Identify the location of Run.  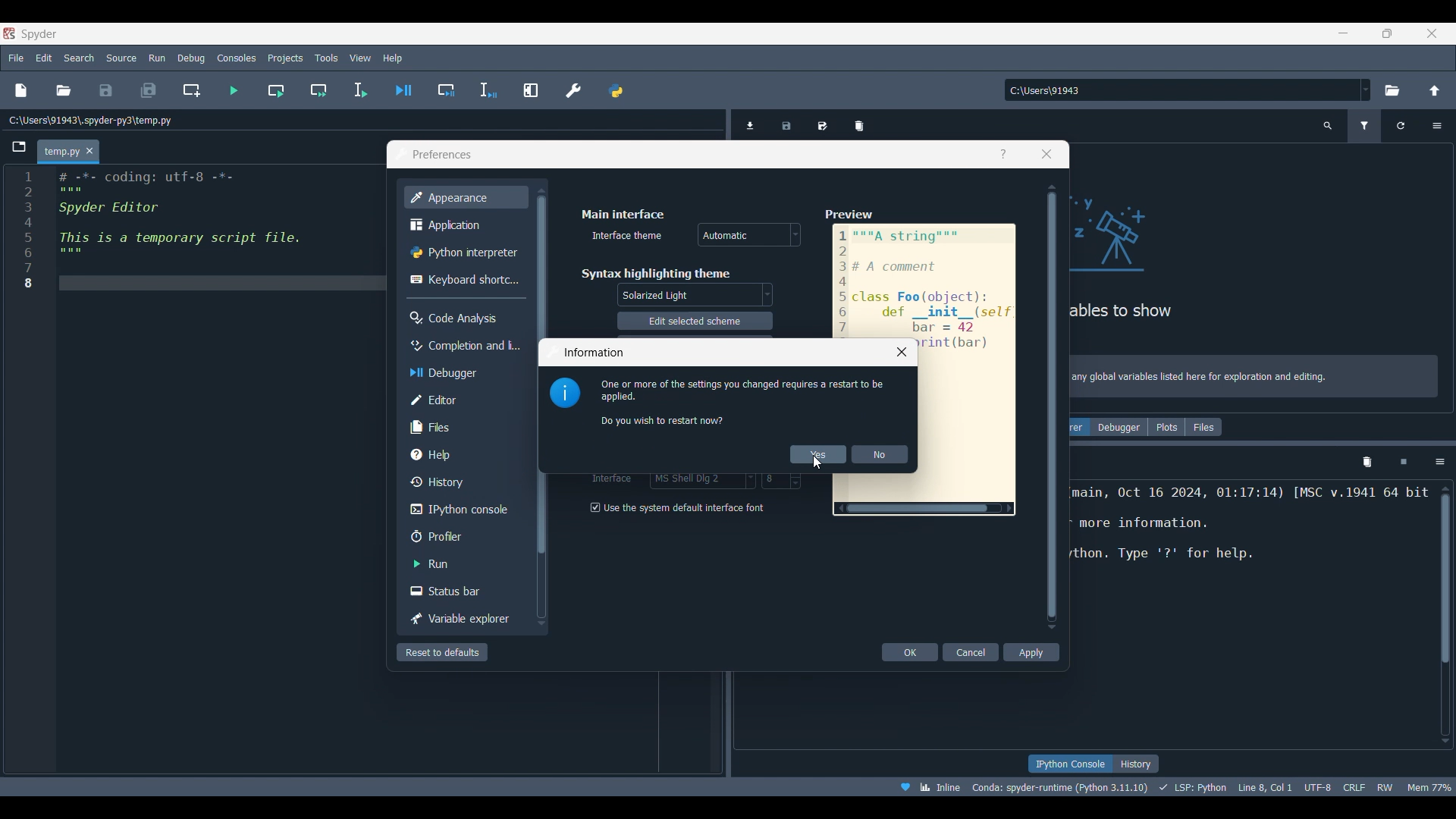
(464, 563).